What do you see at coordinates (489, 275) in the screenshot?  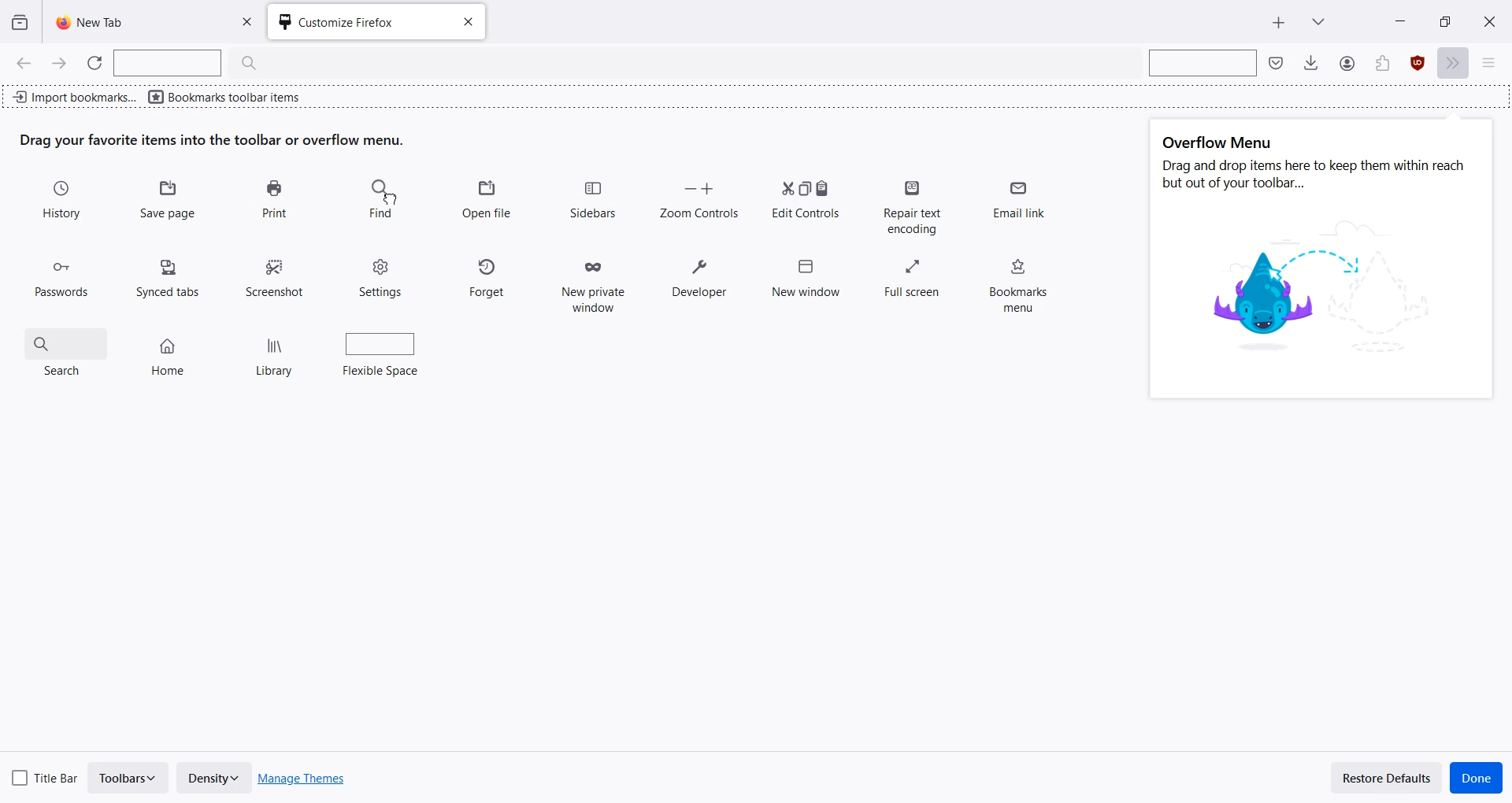 I see `Forget` at bounding box center [489, 275].